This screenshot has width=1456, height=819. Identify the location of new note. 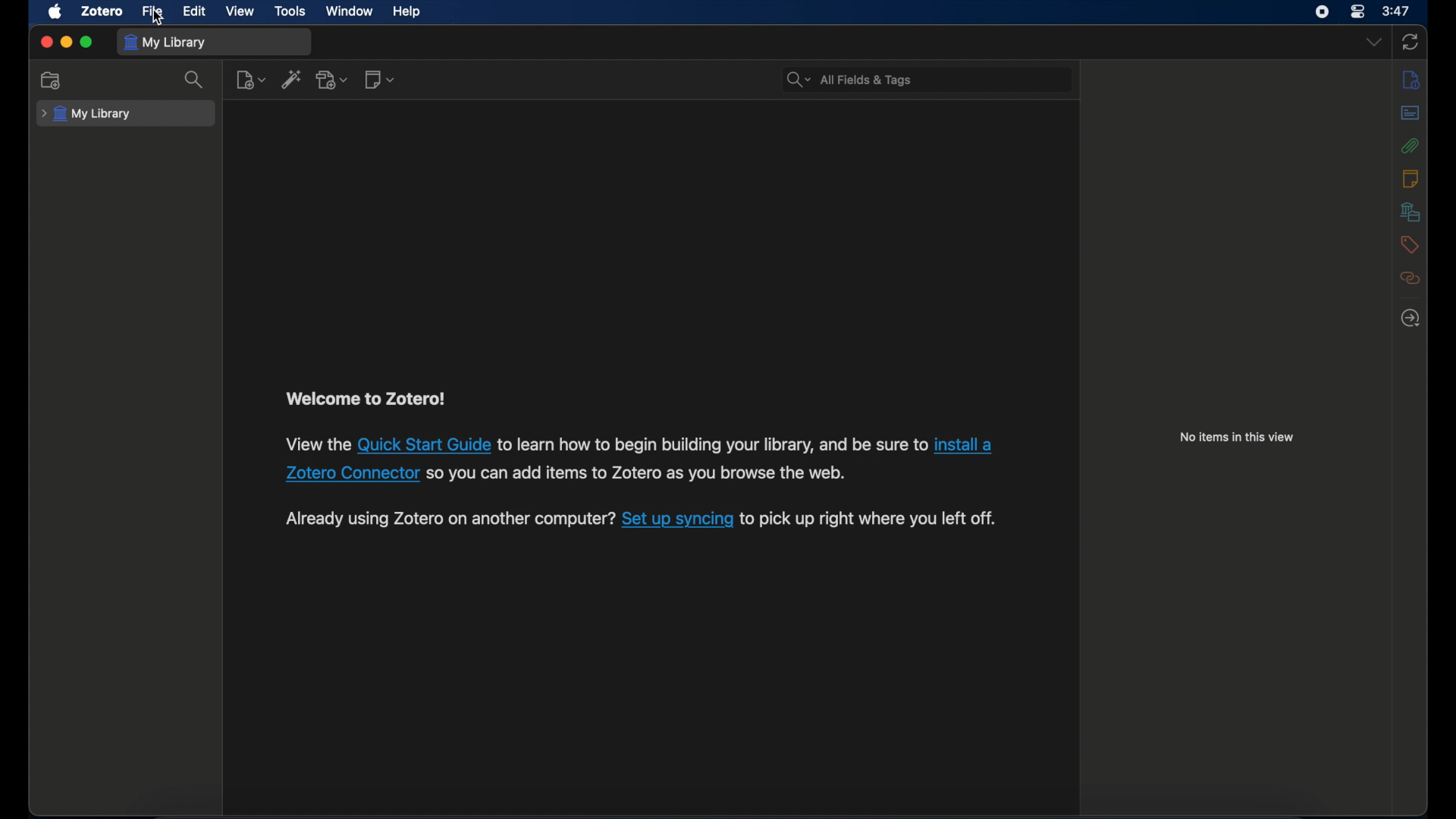
(381, 80).